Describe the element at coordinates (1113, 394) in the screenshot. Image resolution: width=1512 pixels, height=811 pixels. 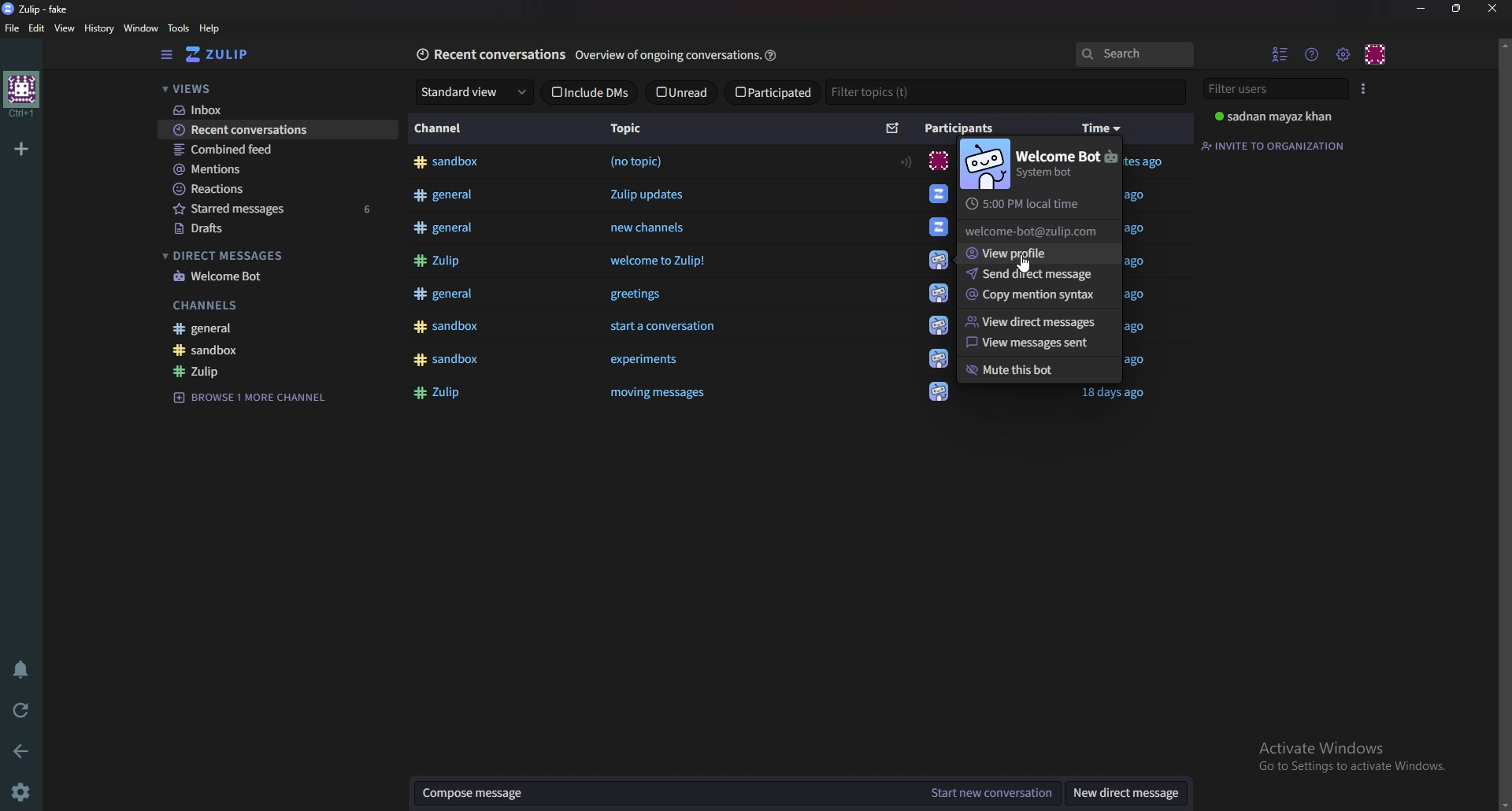
I see `18 days ago` at that location.